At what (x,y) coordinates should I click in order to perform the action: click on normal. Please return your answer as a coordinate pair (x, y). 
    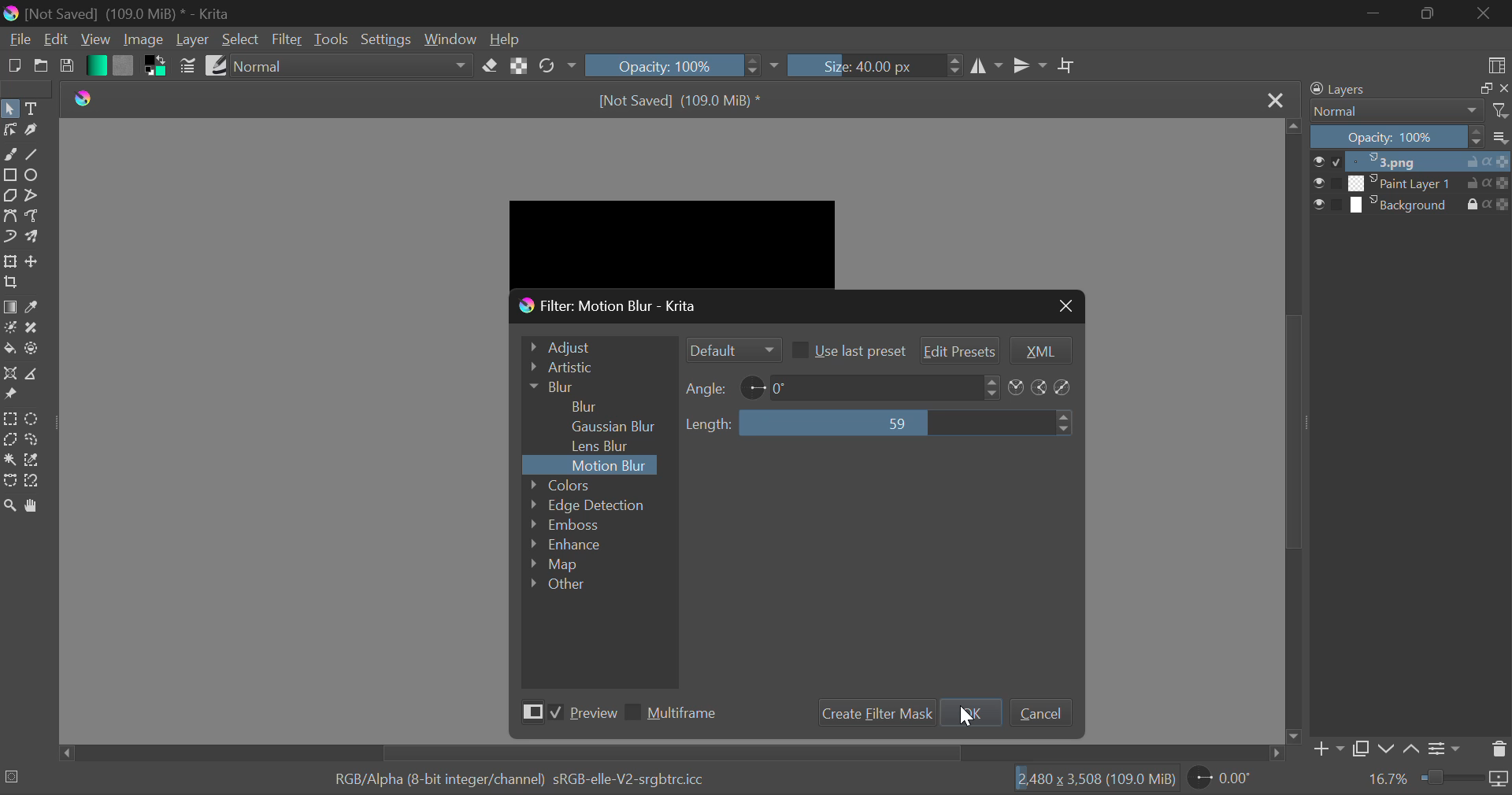
    Looking at the image, I should click on (351, 65).